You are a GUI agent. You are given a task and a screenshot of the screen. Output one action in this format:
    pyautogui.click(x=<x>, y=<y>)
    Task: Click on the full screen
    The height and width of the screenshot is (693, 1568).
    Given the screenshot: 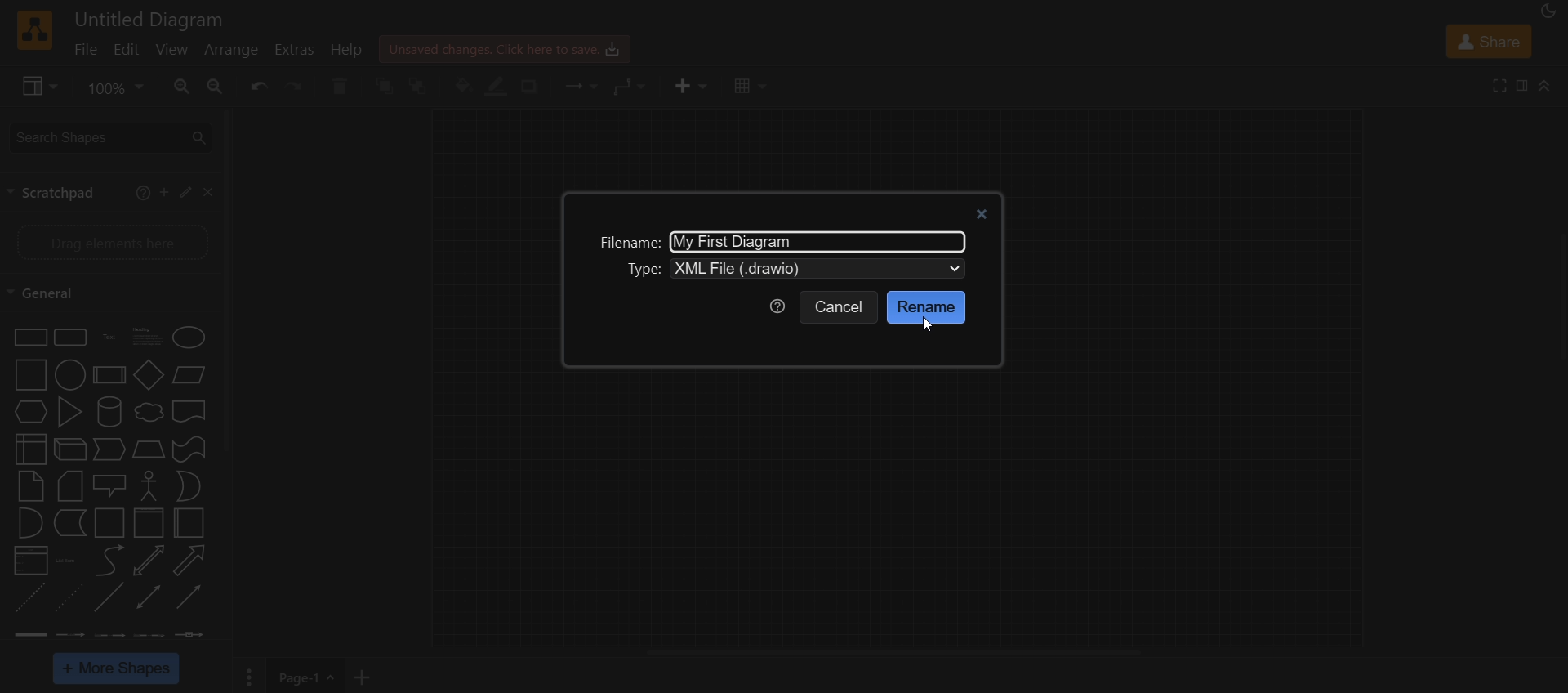 What is the action you would take?
    pyautogui.click(x=1502, y=85)
    